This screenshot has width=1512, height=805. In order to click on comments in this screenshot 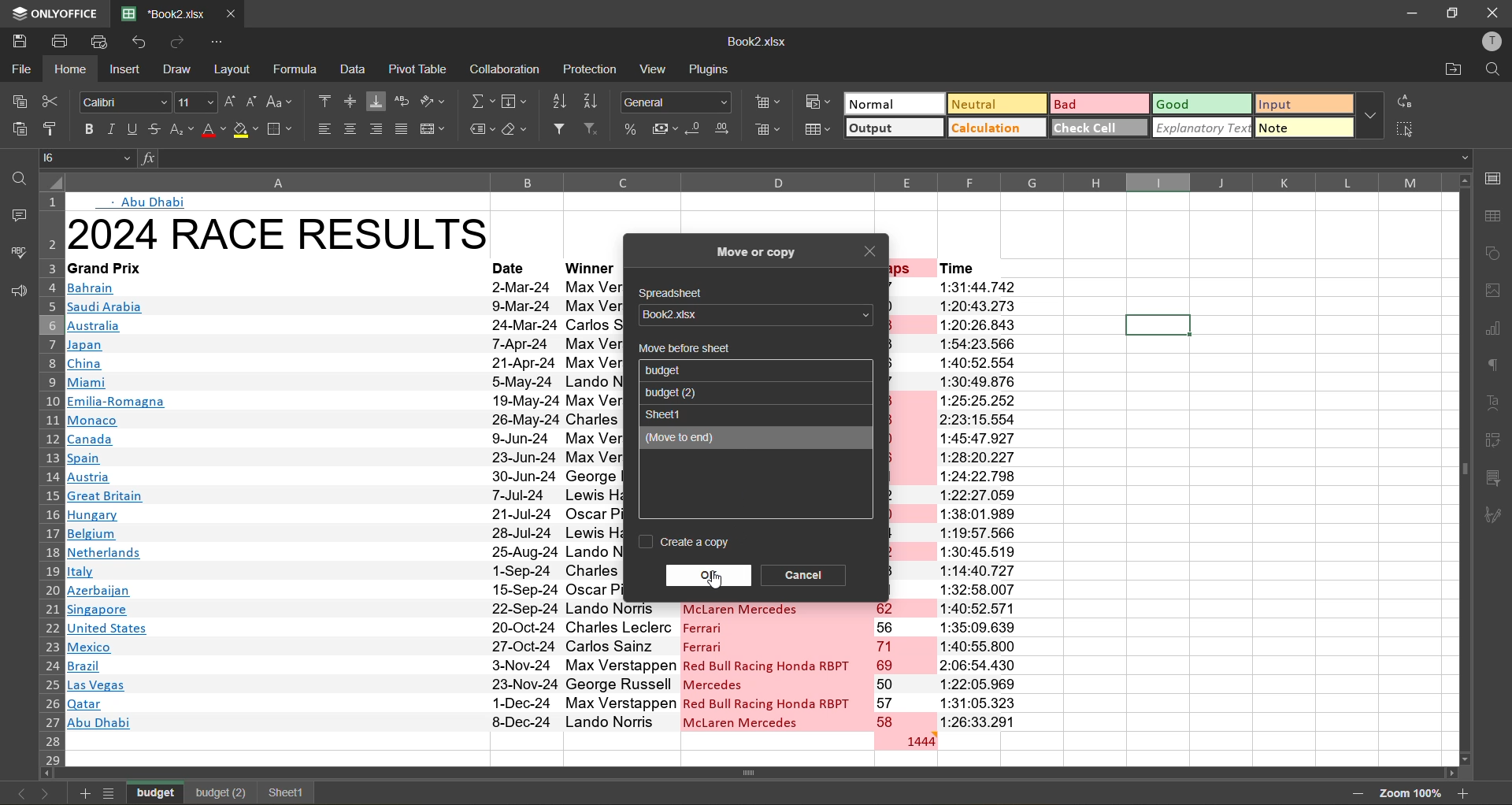, I will do `click(14, 215)`.